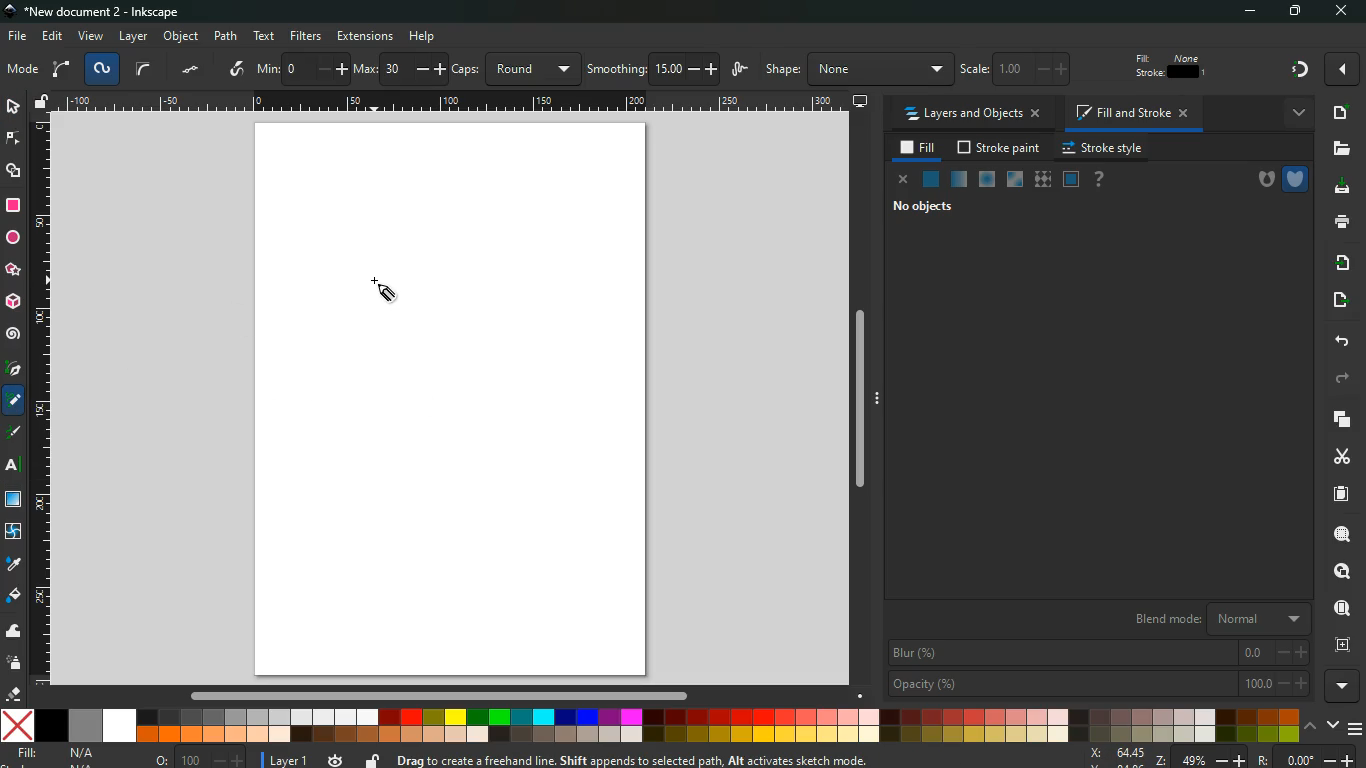 Image resolution: width=1366 pixels, height=768 pixels. What do you see at coordinates (238, 70) in the screenshot?
I see `write` at bounding box center [238, 70].